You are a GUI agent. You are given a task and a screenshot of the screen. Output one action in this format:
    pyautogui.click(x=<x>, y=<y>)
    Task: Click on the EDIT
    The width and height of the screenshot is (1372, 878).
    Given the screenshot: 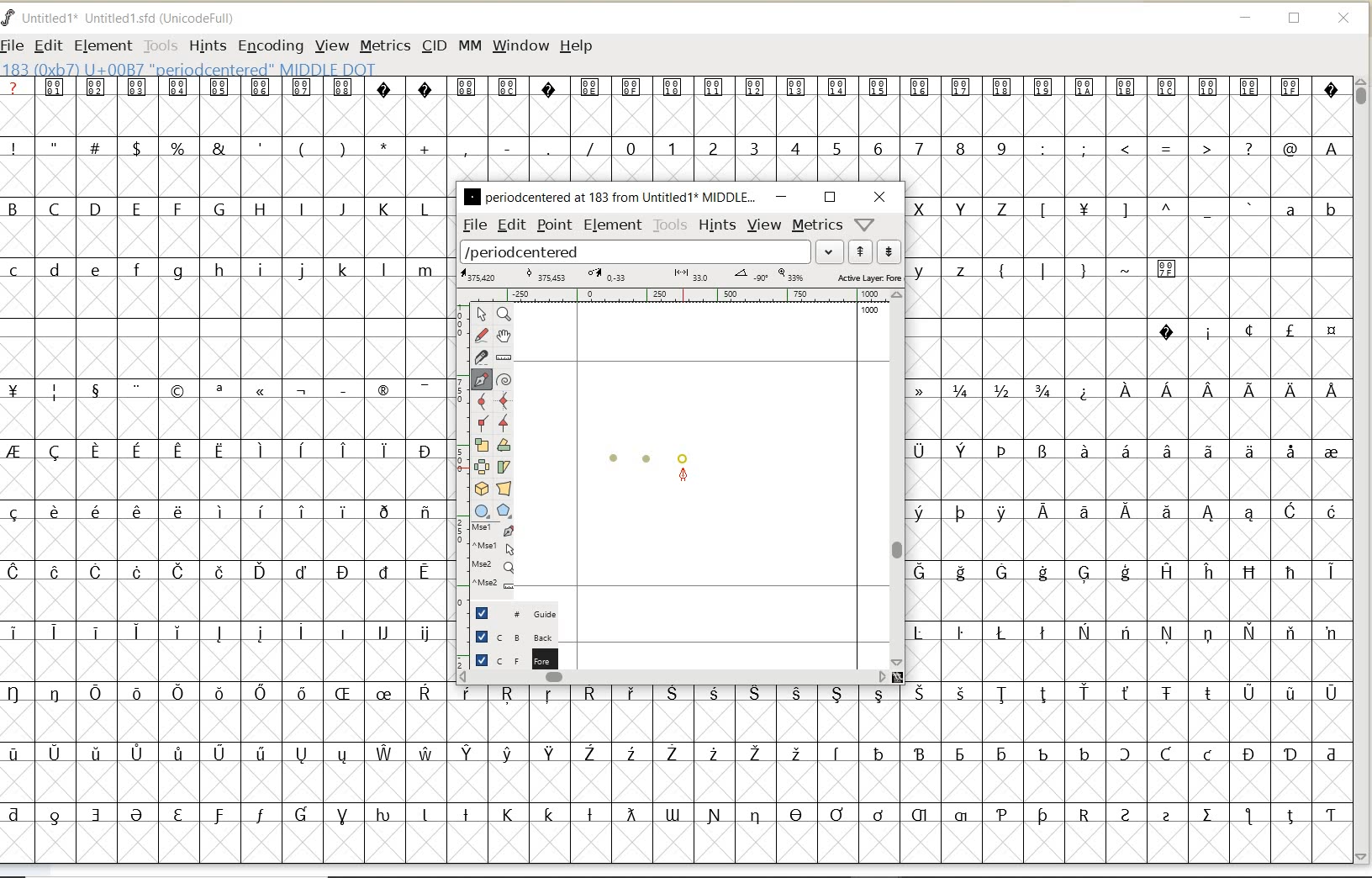 What is the action you would take?
    pyautogui.click(x=48, y=47)
    